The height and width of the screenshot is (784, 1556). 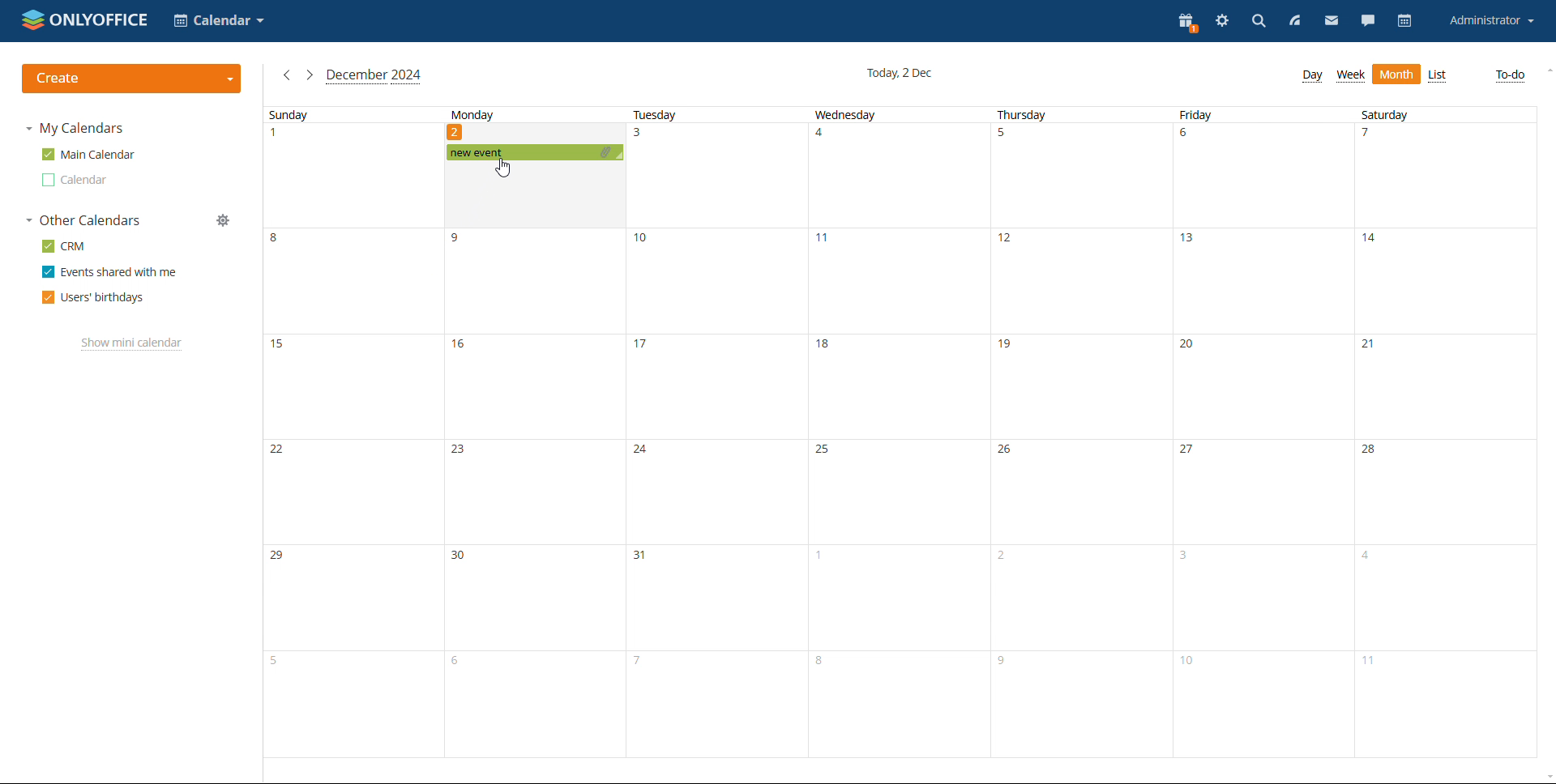 What do you see at coordinates (1196, 115) in the screenshot?
I see `Friday` at bounding box center [1196, 115].